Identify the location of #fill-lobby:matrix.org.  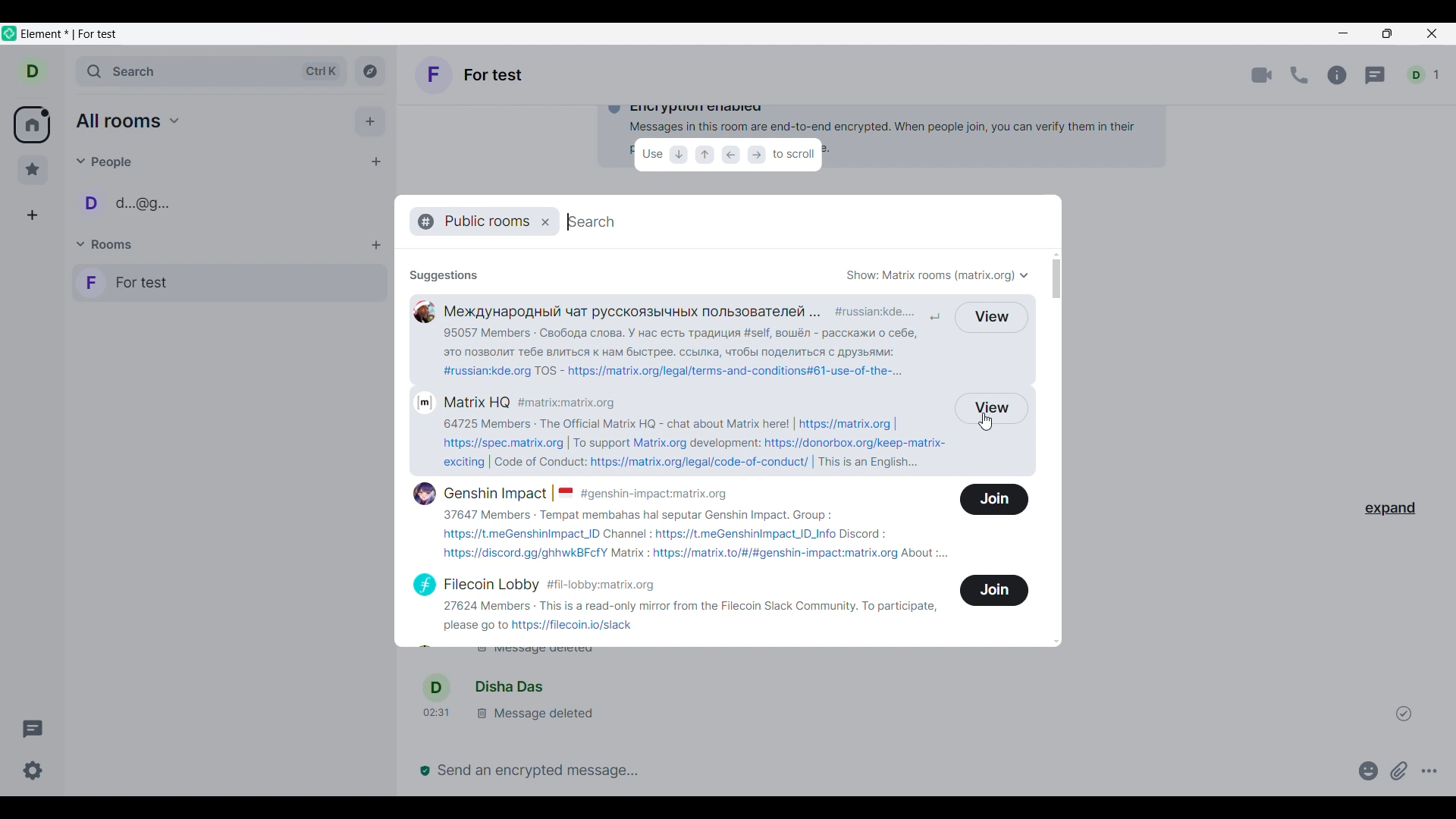
(607, 585).